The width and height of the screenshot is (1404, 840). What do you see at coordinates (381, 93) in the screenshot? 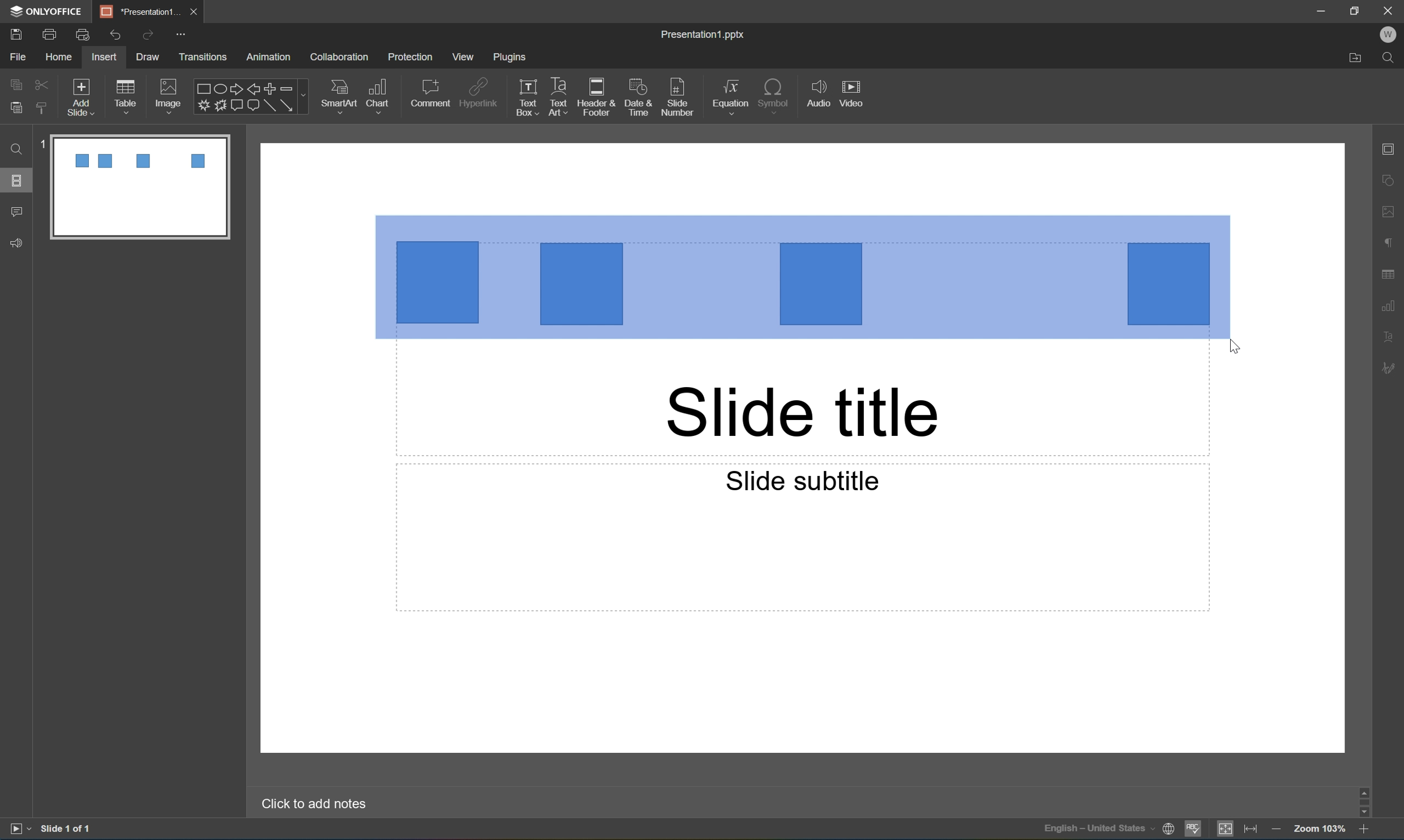
I see `chart` at bounding box center [381, 93].